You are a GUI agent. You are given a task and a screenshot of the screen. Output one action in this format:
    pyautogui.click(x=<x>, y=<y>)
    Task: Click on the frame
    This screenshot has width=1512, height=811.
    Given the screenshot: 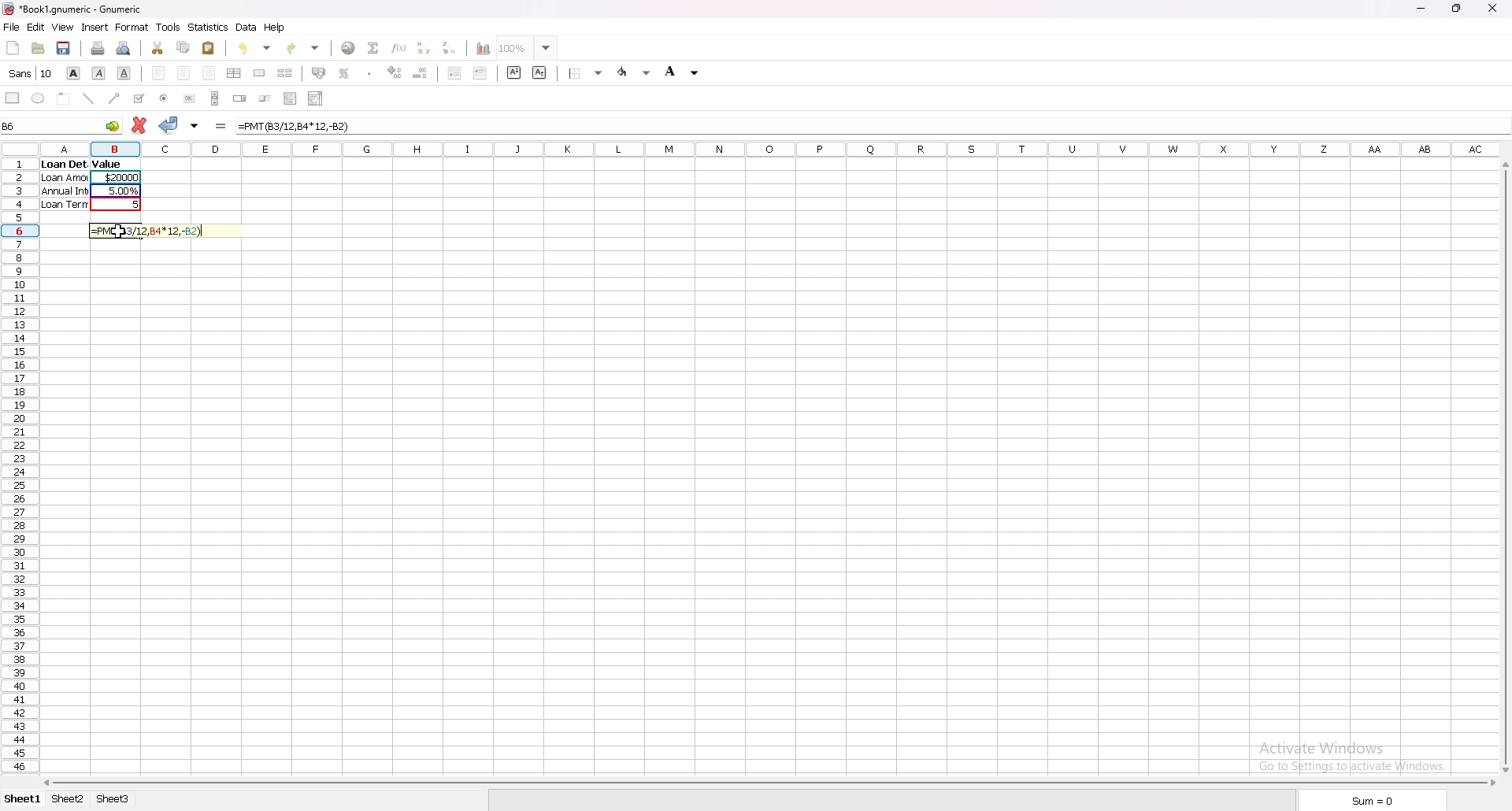 What is the action you would take?
    pyautogui.click(x=65, y=98)
    